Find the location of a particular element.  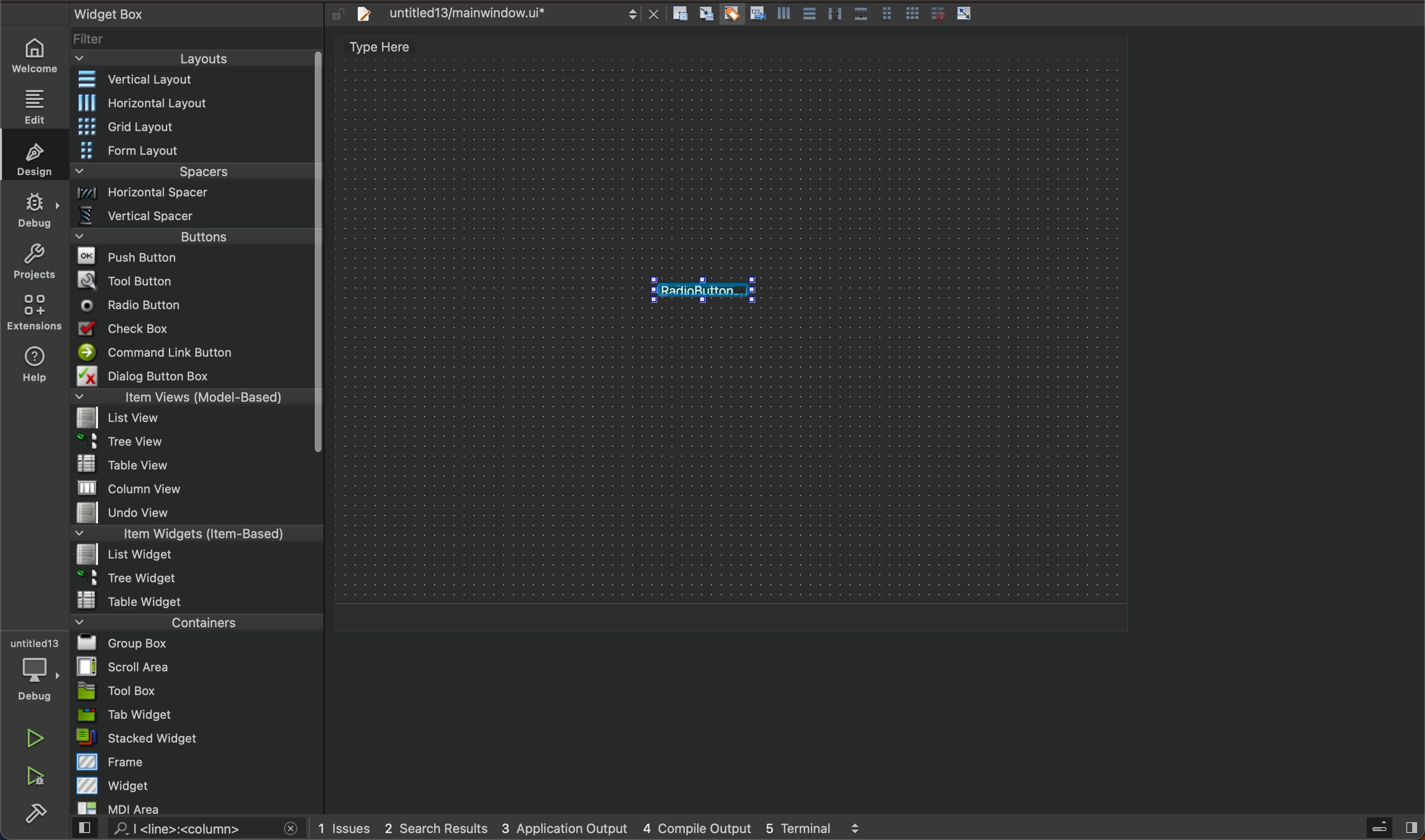

table widget is located at coordinates (198, 600).